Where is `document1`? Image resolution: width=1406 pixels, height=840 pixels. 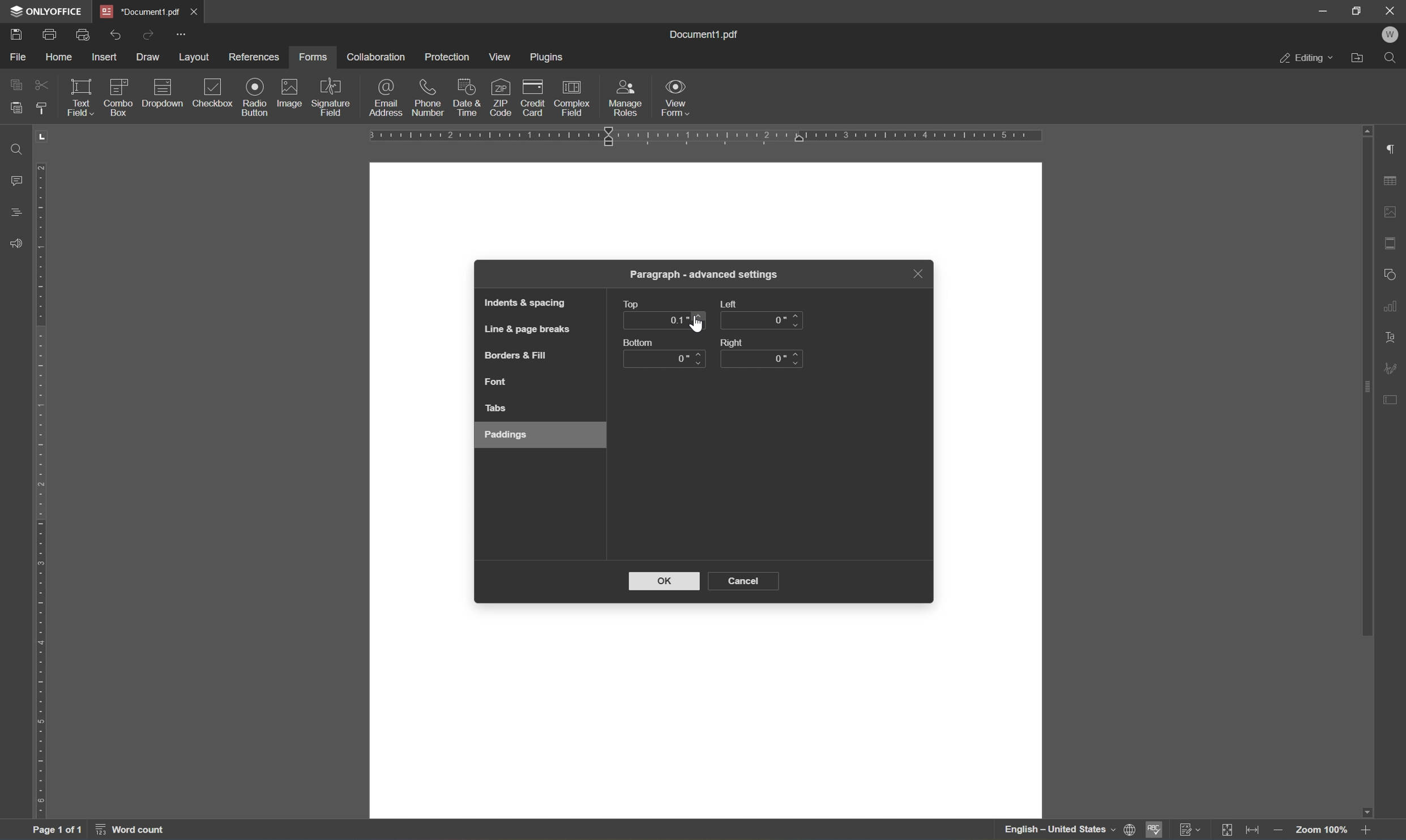 document1 is located at coordinates (142, 12).